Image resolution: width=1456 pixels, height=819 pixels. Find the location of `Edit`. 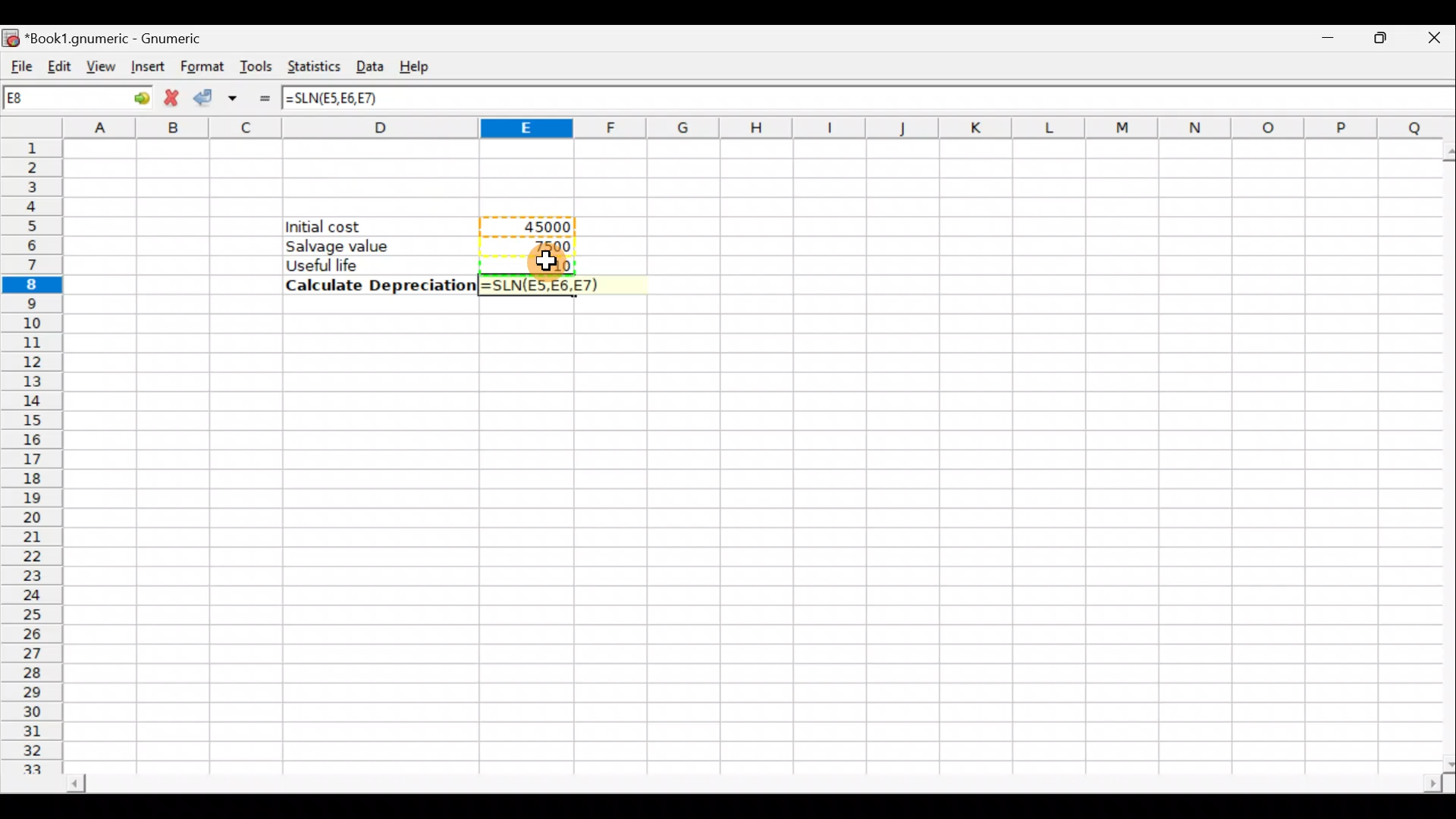

Edit is located at coordinates (60, 62).